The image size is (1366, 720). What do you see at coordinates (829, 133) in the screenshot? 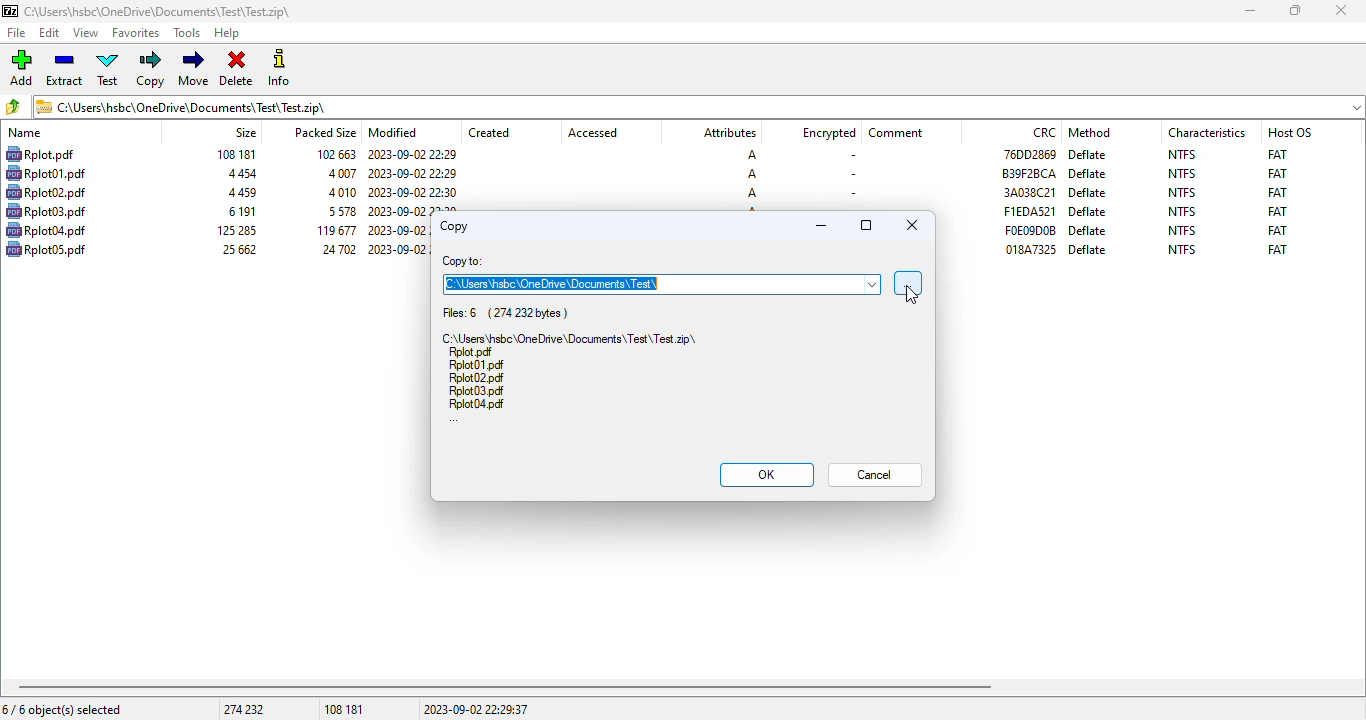
I see `encrypted` at bounding box center [829, 133].